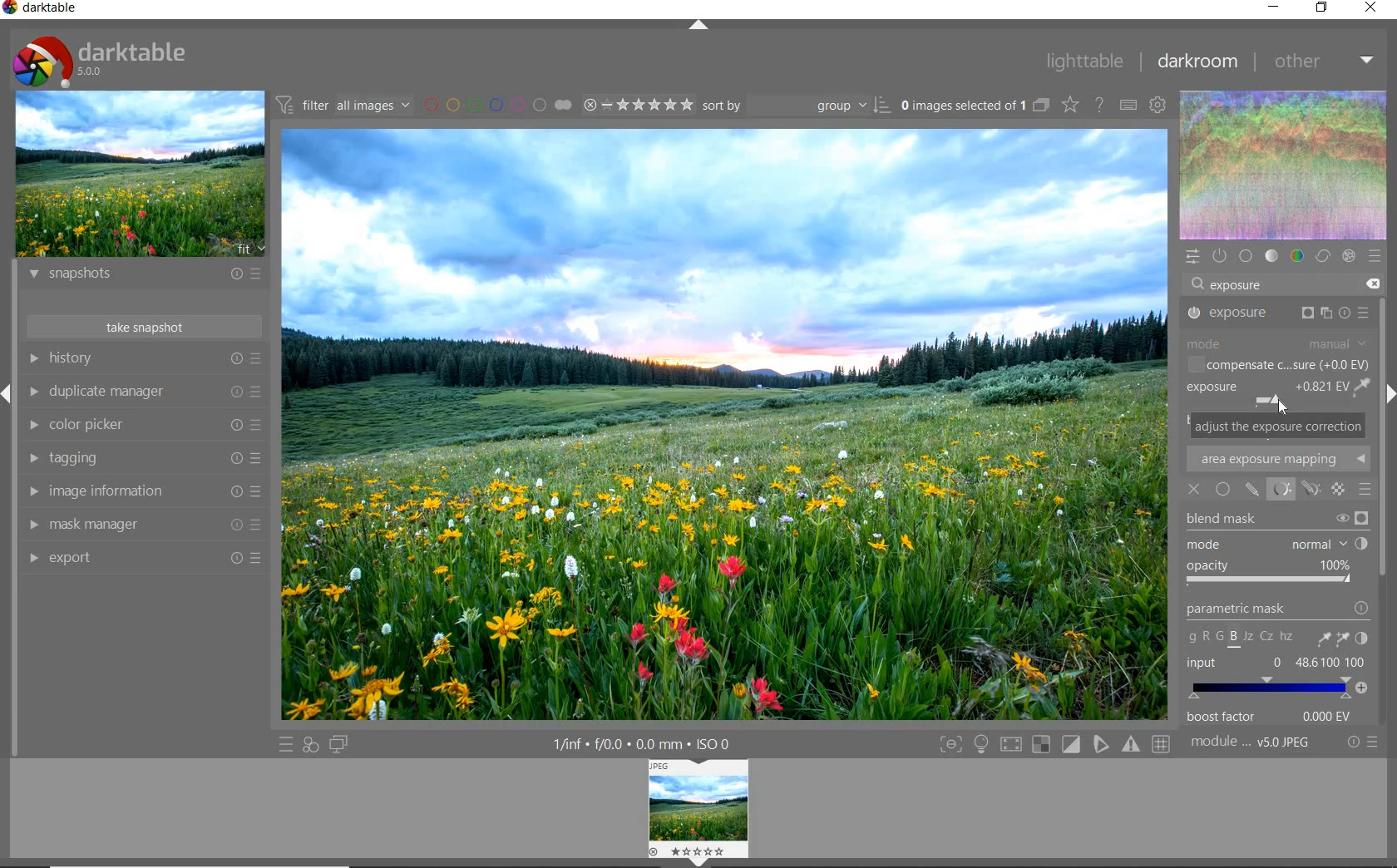 The width and height of the screenshot is (1397, 868). Describe the element at coordinates (1098, 106) in the screenshot. I see `enable online help` at that location.